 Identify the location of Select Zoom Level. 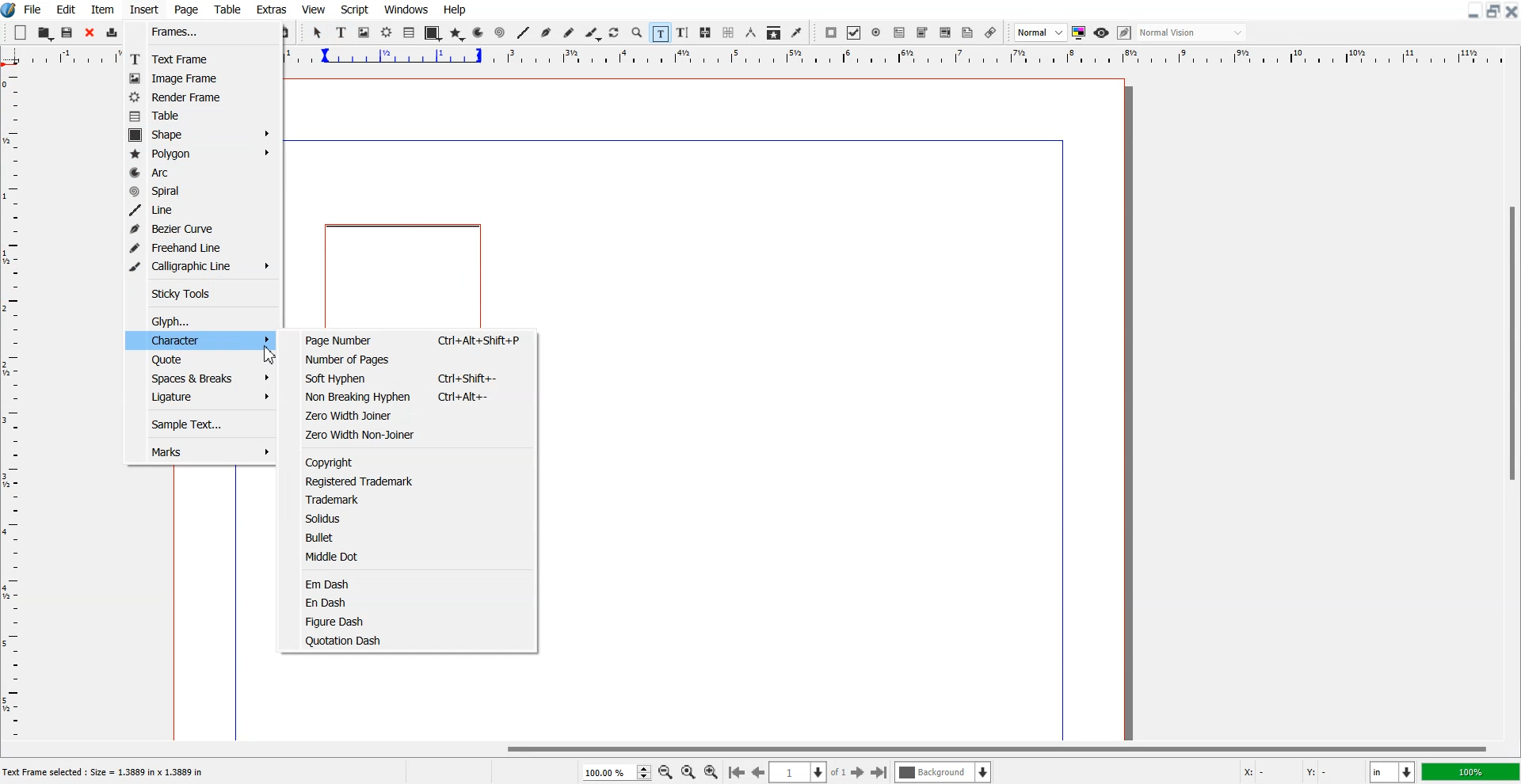
(618, 772).